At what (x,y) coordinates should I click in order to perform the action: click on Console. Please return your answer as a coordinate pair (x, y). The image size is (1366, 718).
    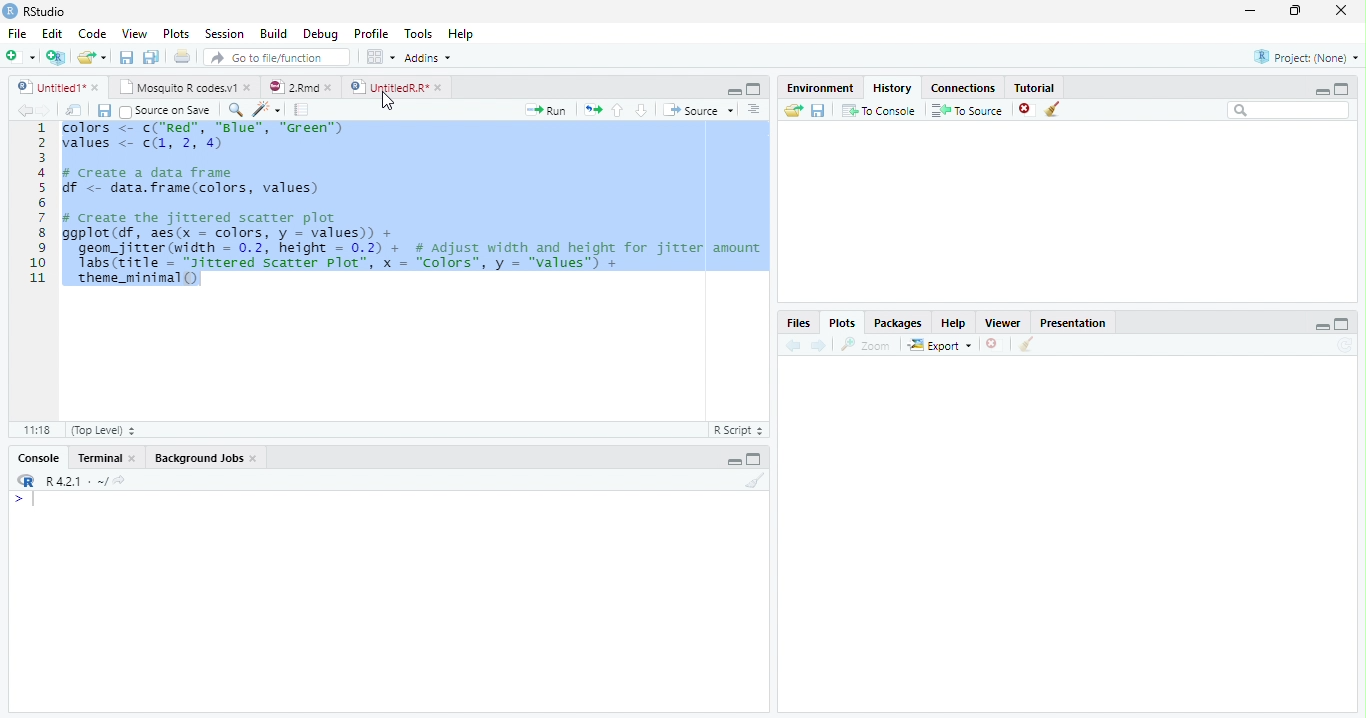
    Looking at the image, I should click on (39, 457).